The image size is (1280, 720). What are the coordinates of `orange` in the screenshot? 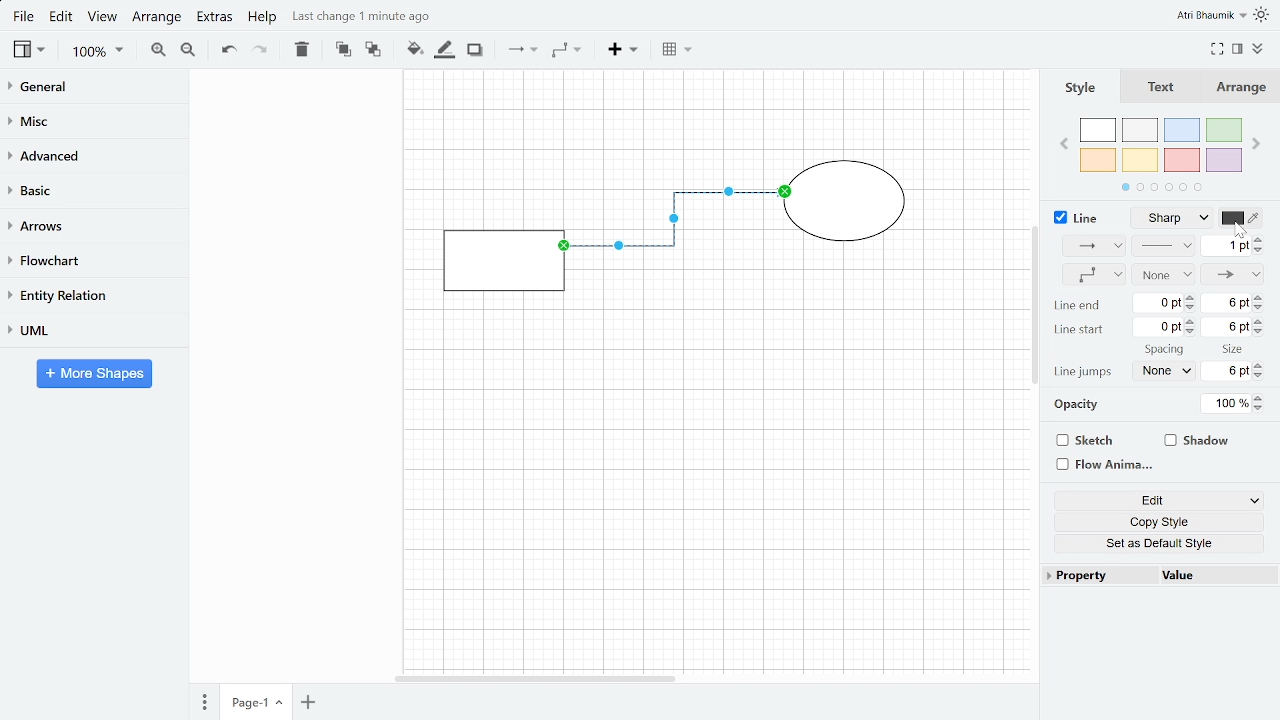 It's located at (1098, 160).